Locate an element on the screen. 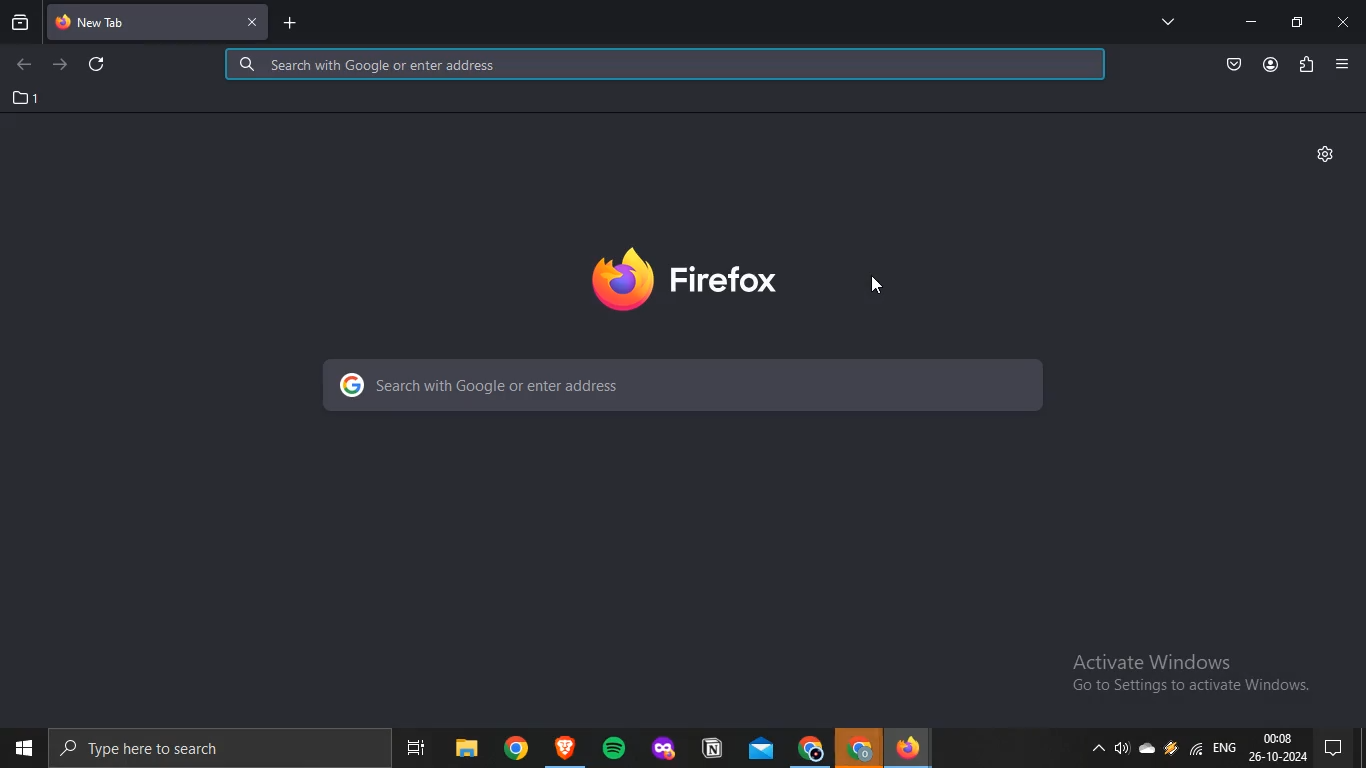 This screenshot has height=768, width=1366. all tabs is located at coordinates (1168, 21).